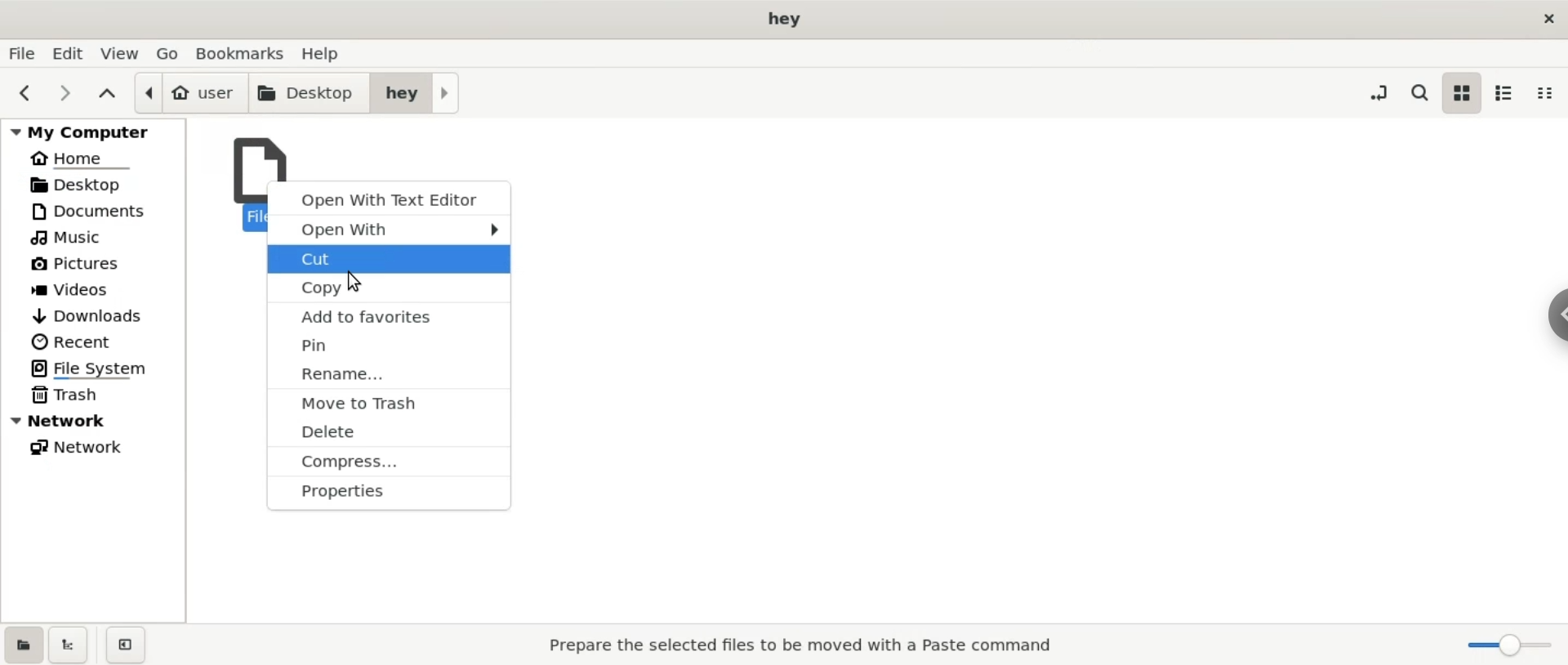 Image resolution: width=1568 pixels, height=665 pixels. Describe the element at coordinates (103, 447) in the screenshot. I see `network` at that location.